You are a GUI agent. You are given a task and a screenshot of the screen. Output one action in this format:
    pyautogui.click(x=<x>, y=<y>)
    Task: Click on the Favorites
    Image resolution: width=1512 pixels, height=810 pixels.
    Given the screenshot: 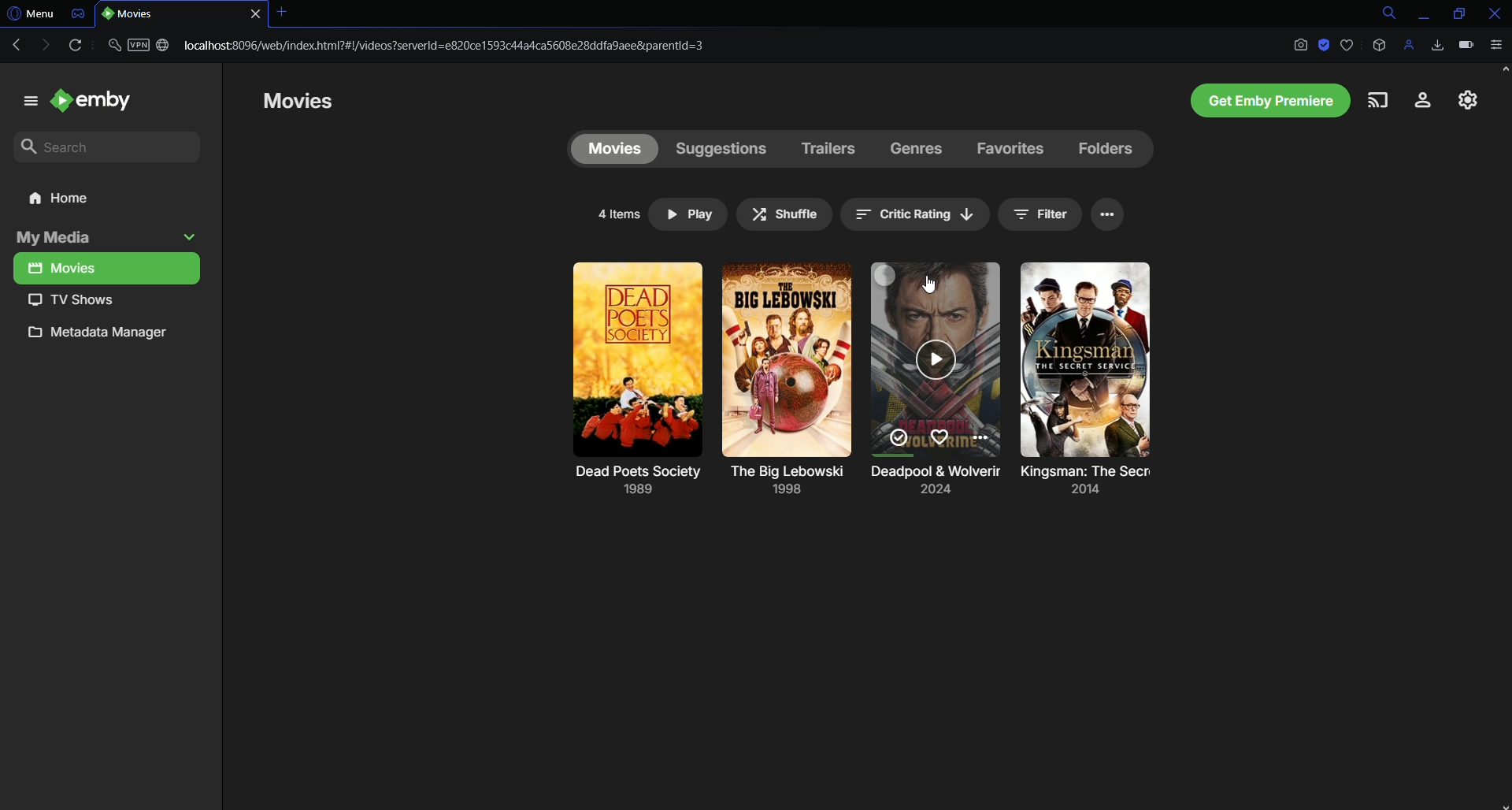 What is the action you would take?
    pyautogui.click(x=1006, y=150)
    